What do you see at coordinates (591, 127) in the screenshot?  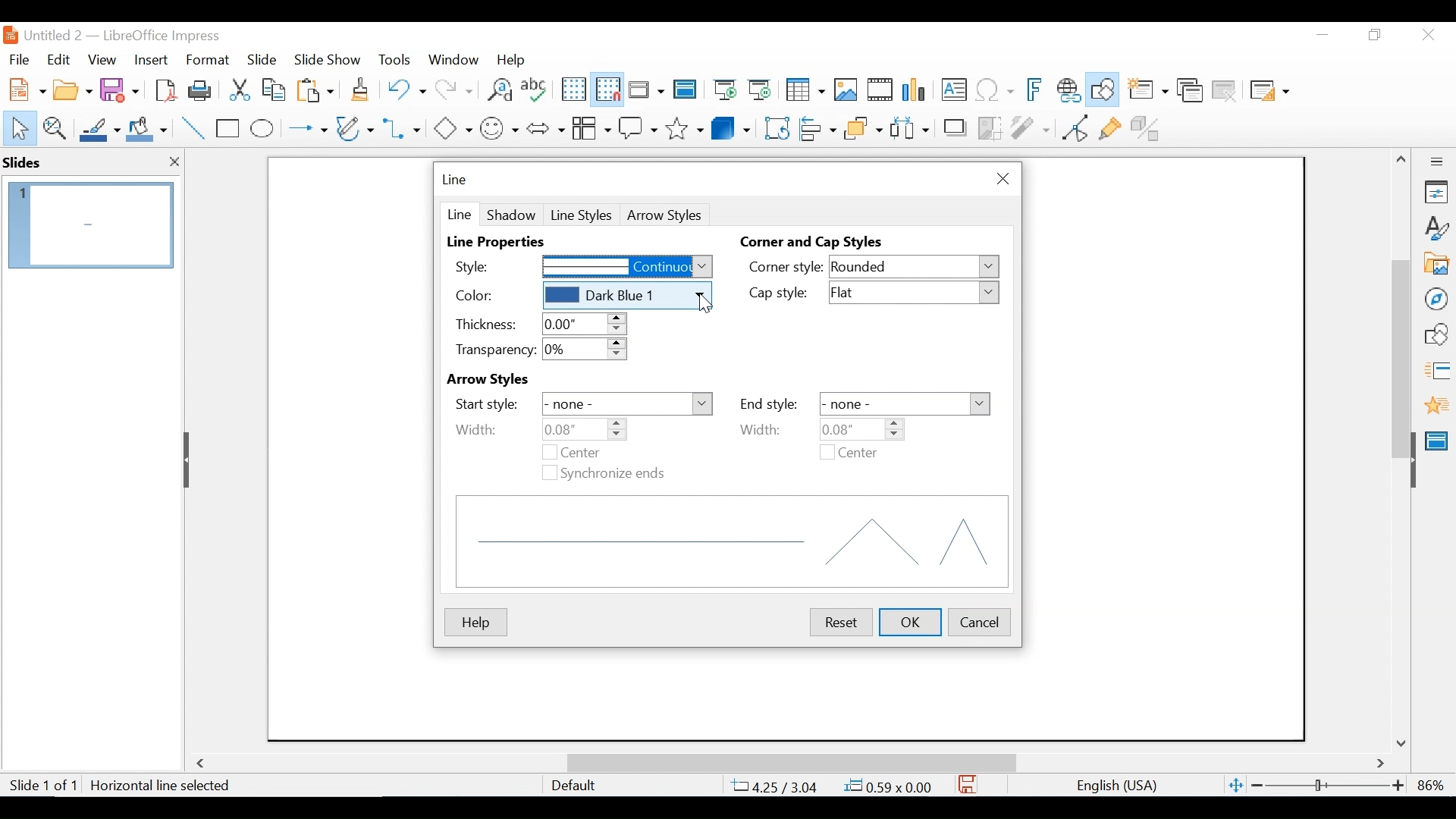 I see `` at bounding box center [591, 127].